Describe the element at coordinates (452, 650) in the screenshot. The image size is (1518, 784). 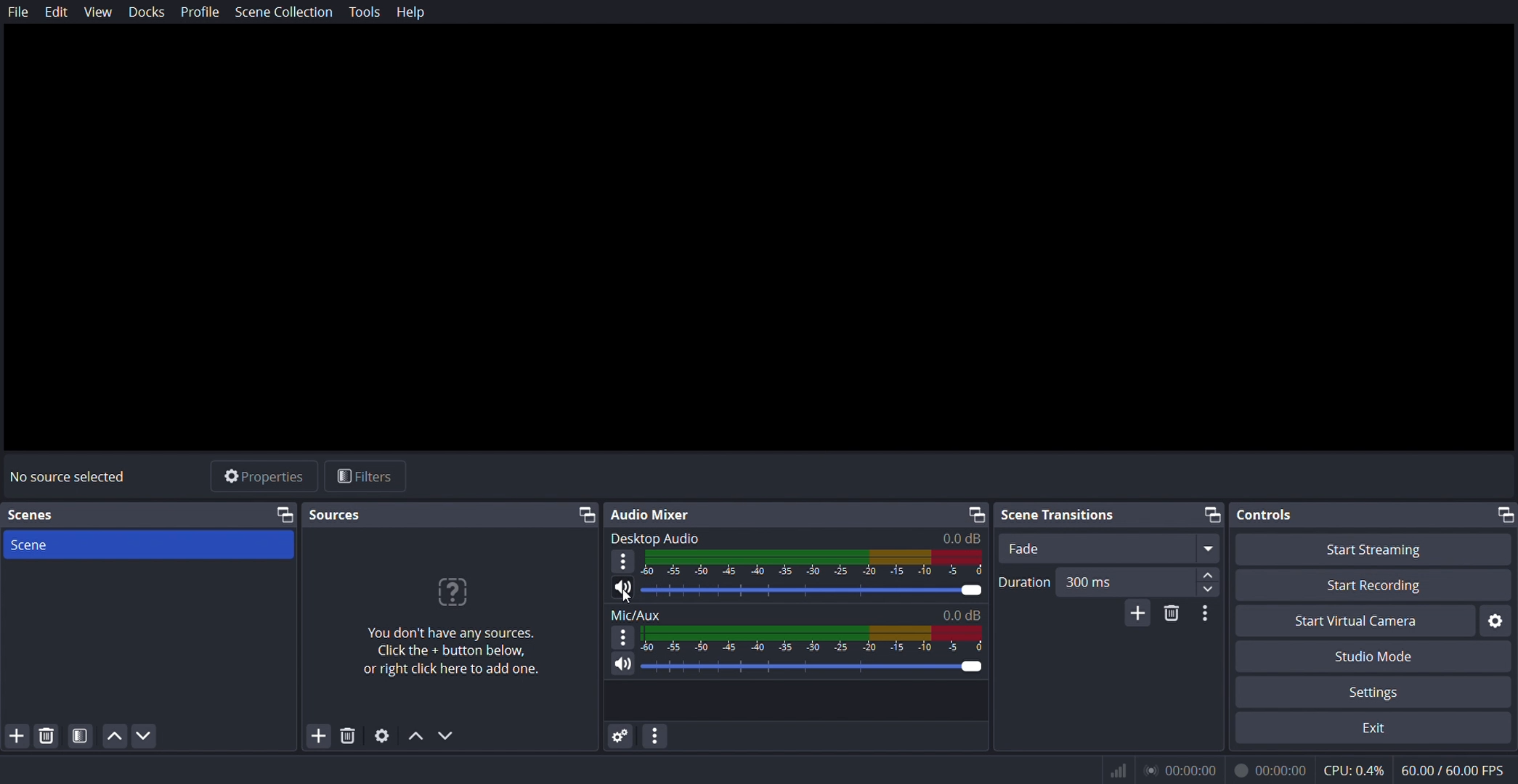
I see `You don't have any sources.
Click the + button below,
or right click here to add one.` at that location.